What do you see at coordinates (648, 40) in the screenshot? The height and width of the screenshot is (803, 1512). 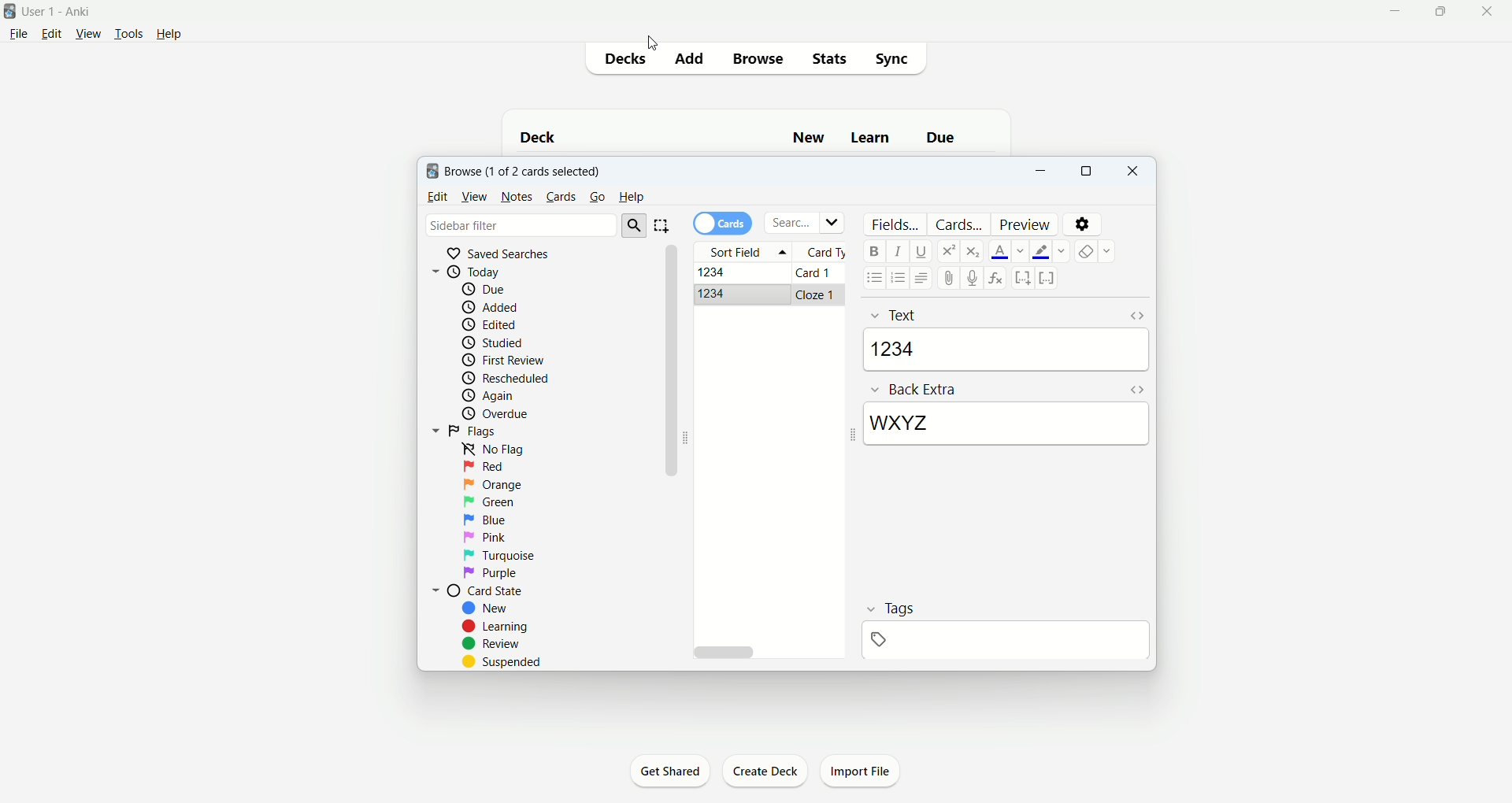 I see `cursor` at bounding box center [648, 40].